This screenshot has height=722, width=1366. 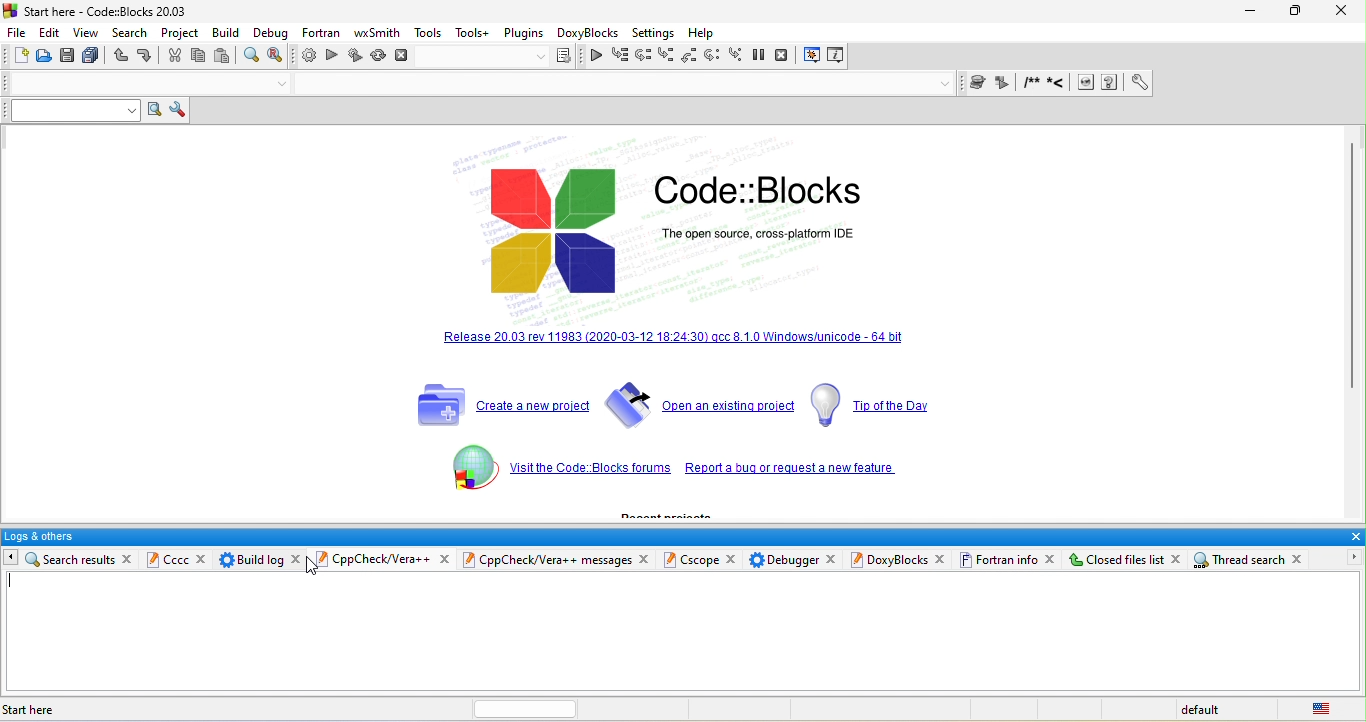 What do you see at coordinates (705, 31) in the screenshot?
I see `help` at bounding box center [705, 31].